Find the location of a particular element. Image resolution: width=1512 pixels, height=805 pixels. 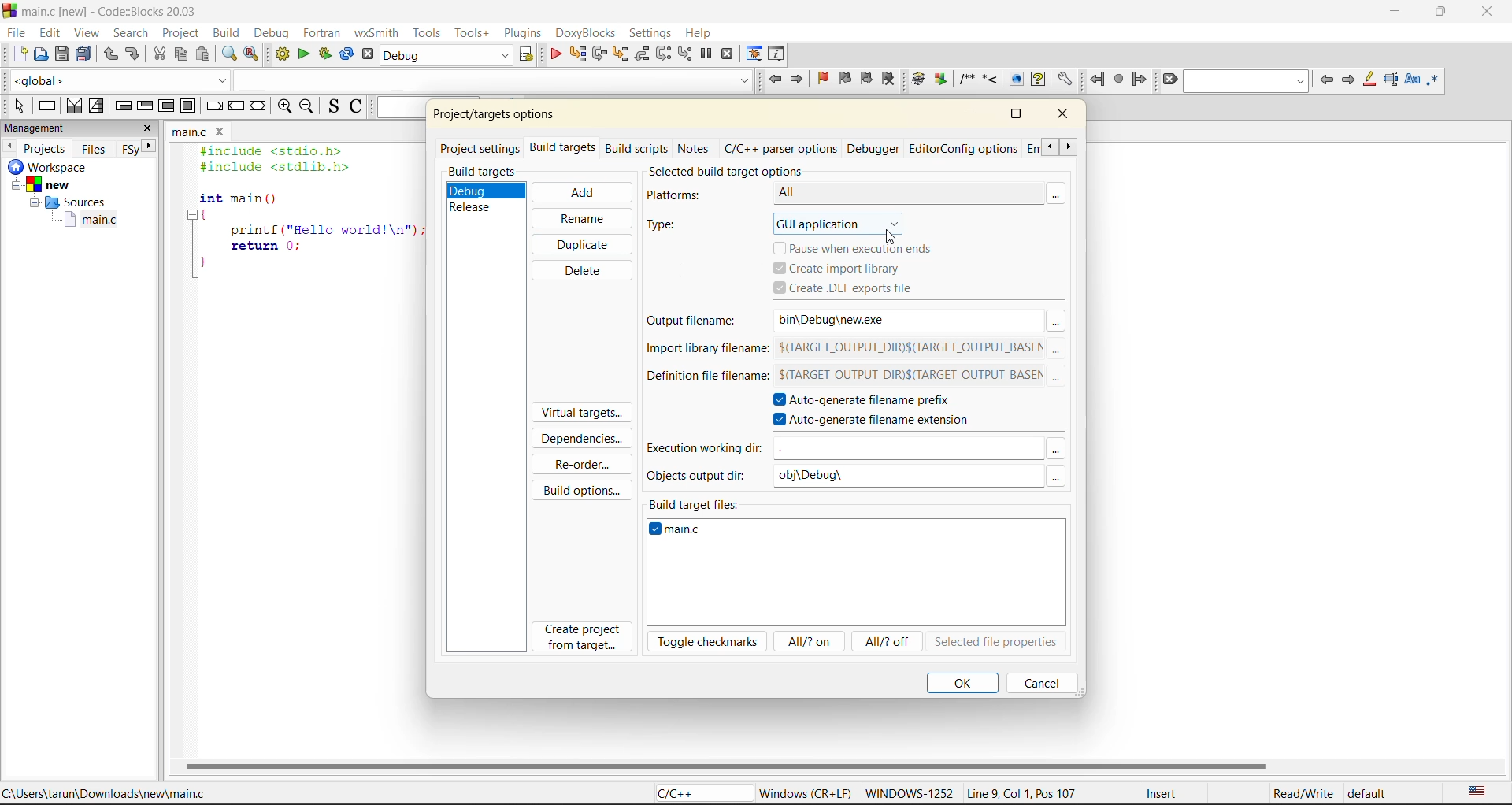

next is located at coordinates (1349, 80).